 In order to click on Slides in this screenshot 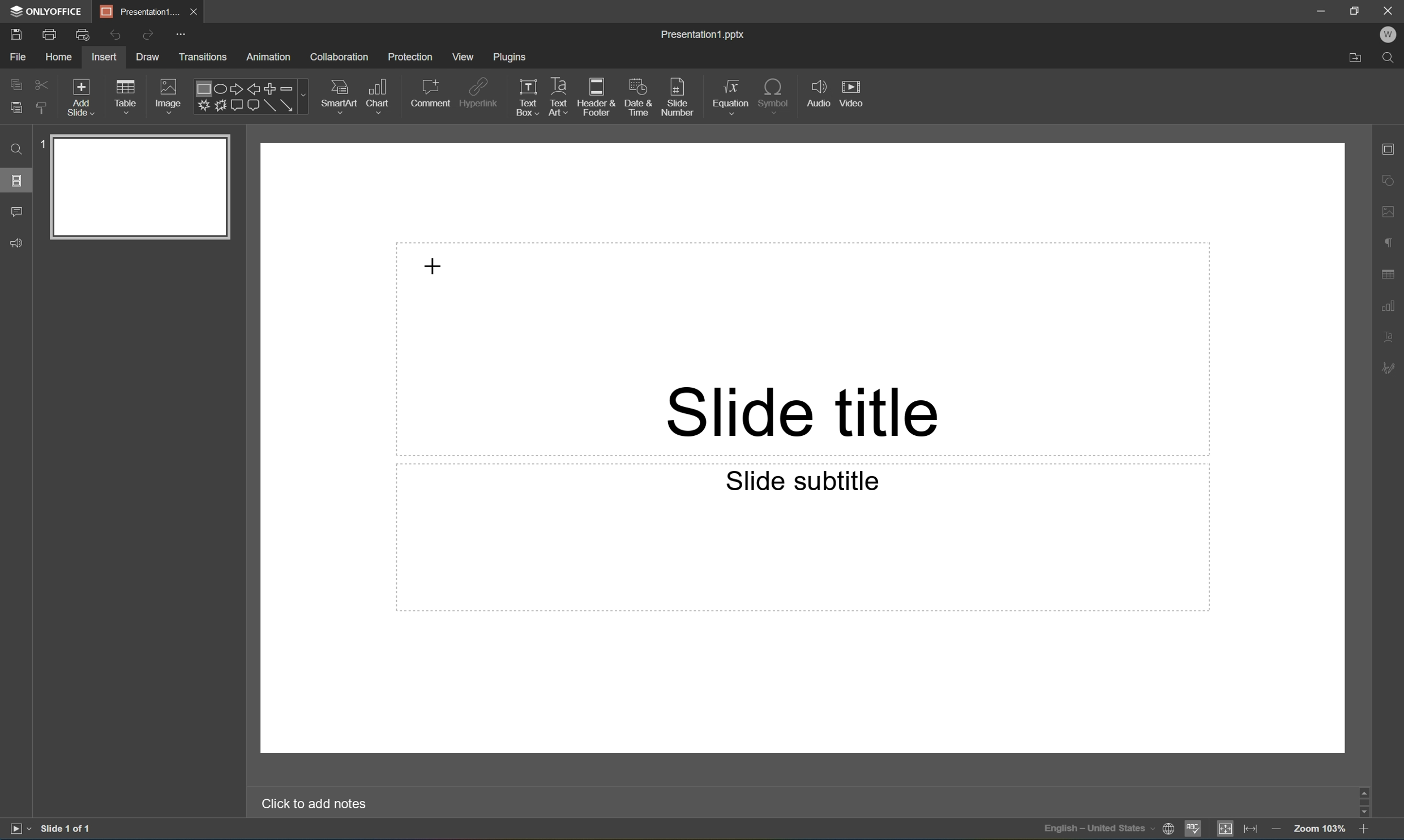, I will do `click(16, 179)`.